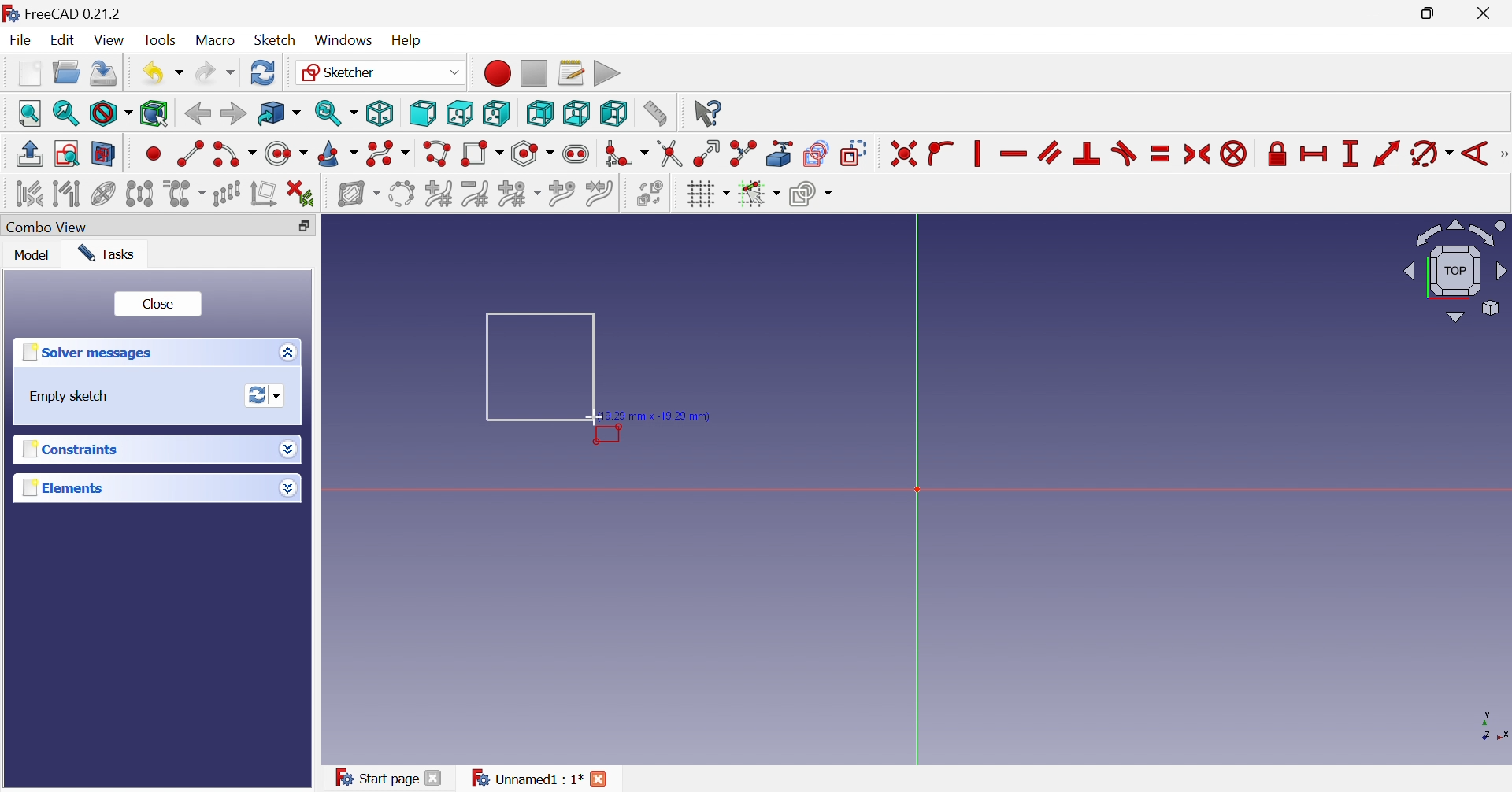 The image size is (1512, 792). What do you see at coordinates (422, 113) in the screenshot?
I see `Front` at bounding box center [422, 113].